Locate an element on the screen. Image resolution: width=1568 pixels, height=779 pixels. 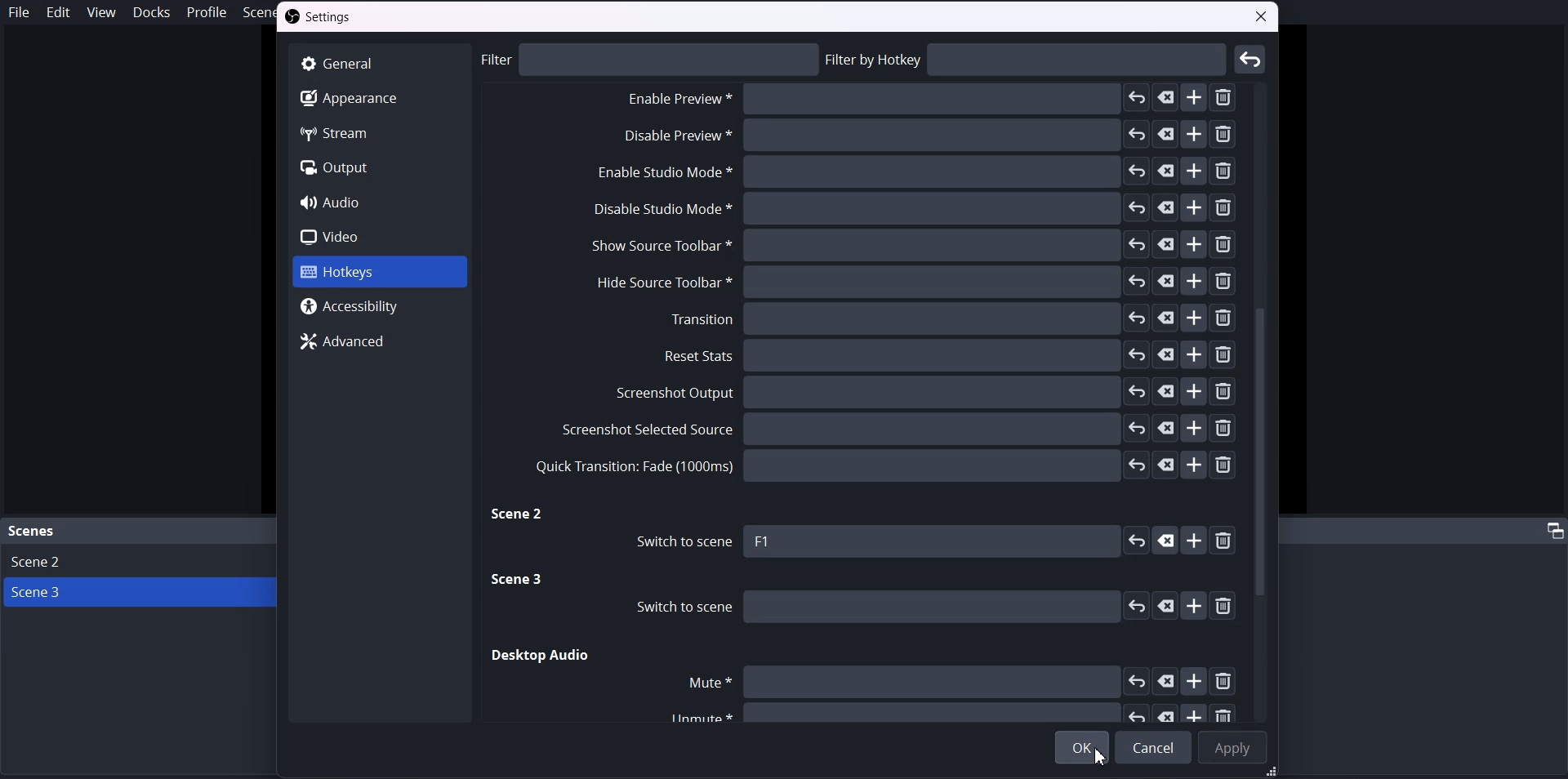
Screenshot selected source is located at coordinates (895, 428).